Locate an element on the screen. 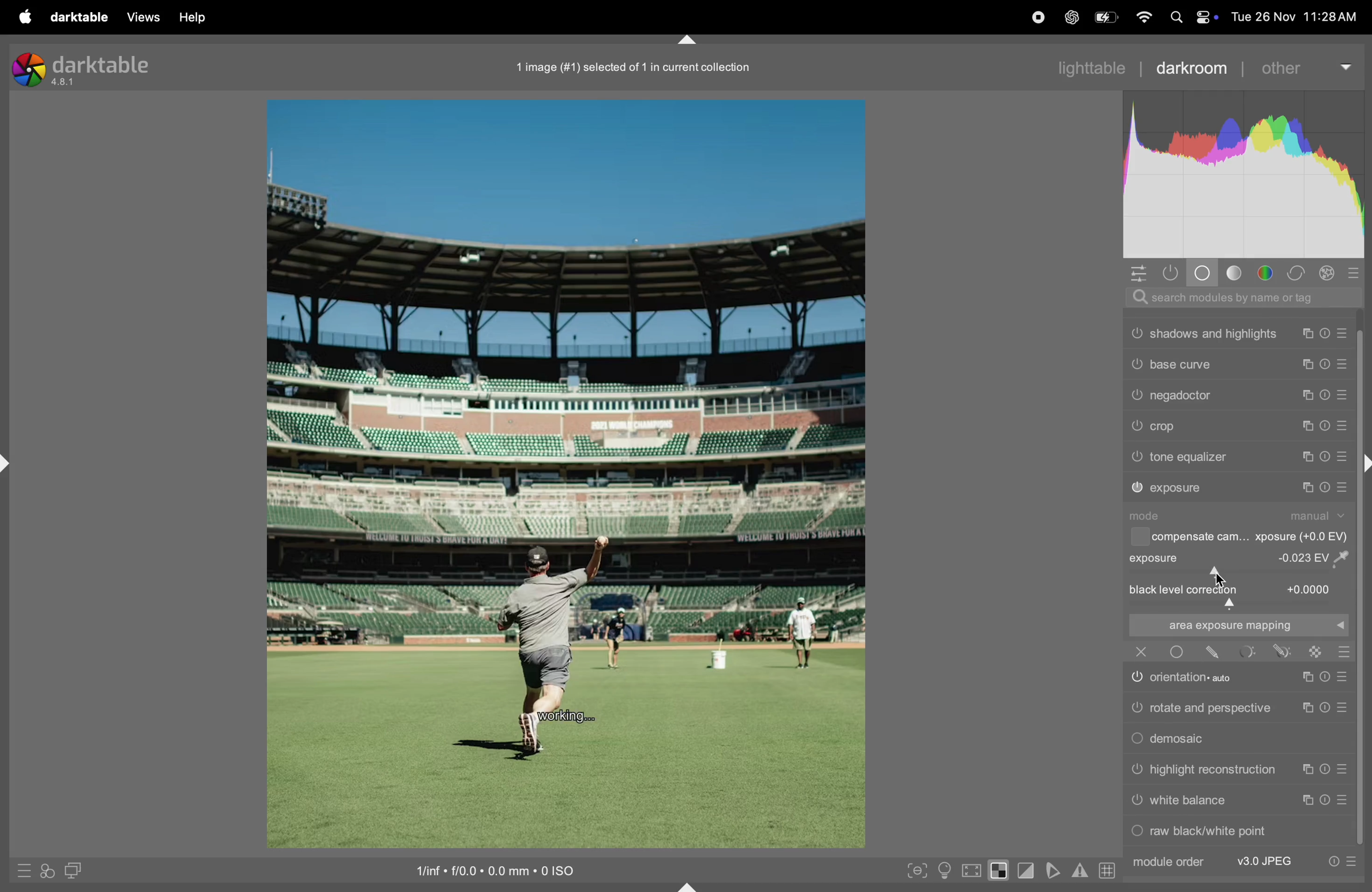 Image resolution: width=1372 pixels, height=892 pixels. crop is located at coordinates (1167, 427).